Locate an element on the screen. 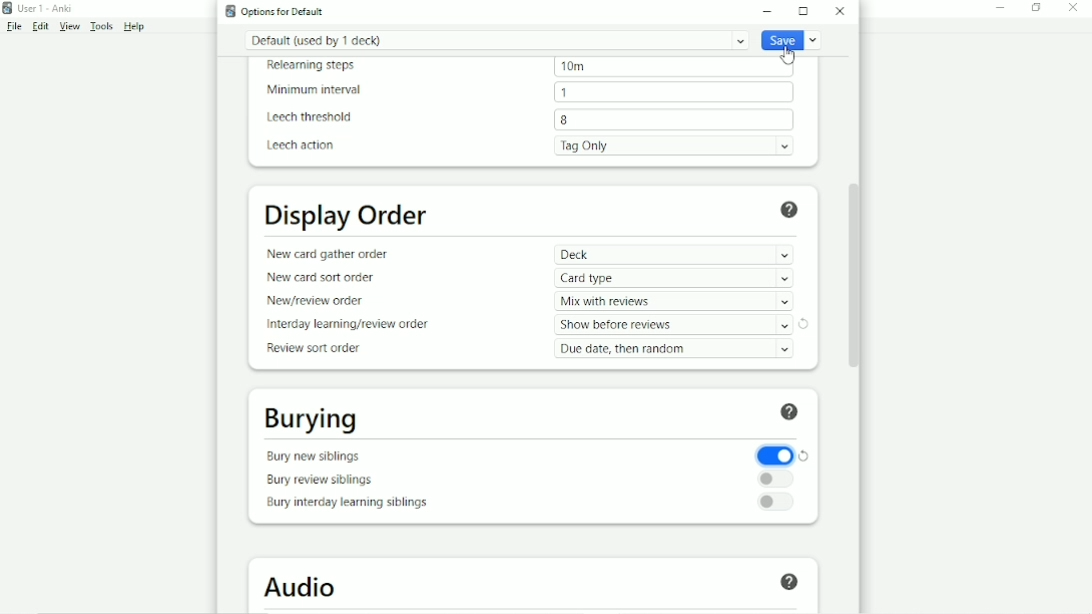 The image size is (1092, 614). relearning steps is located at coordinates (317, 66).